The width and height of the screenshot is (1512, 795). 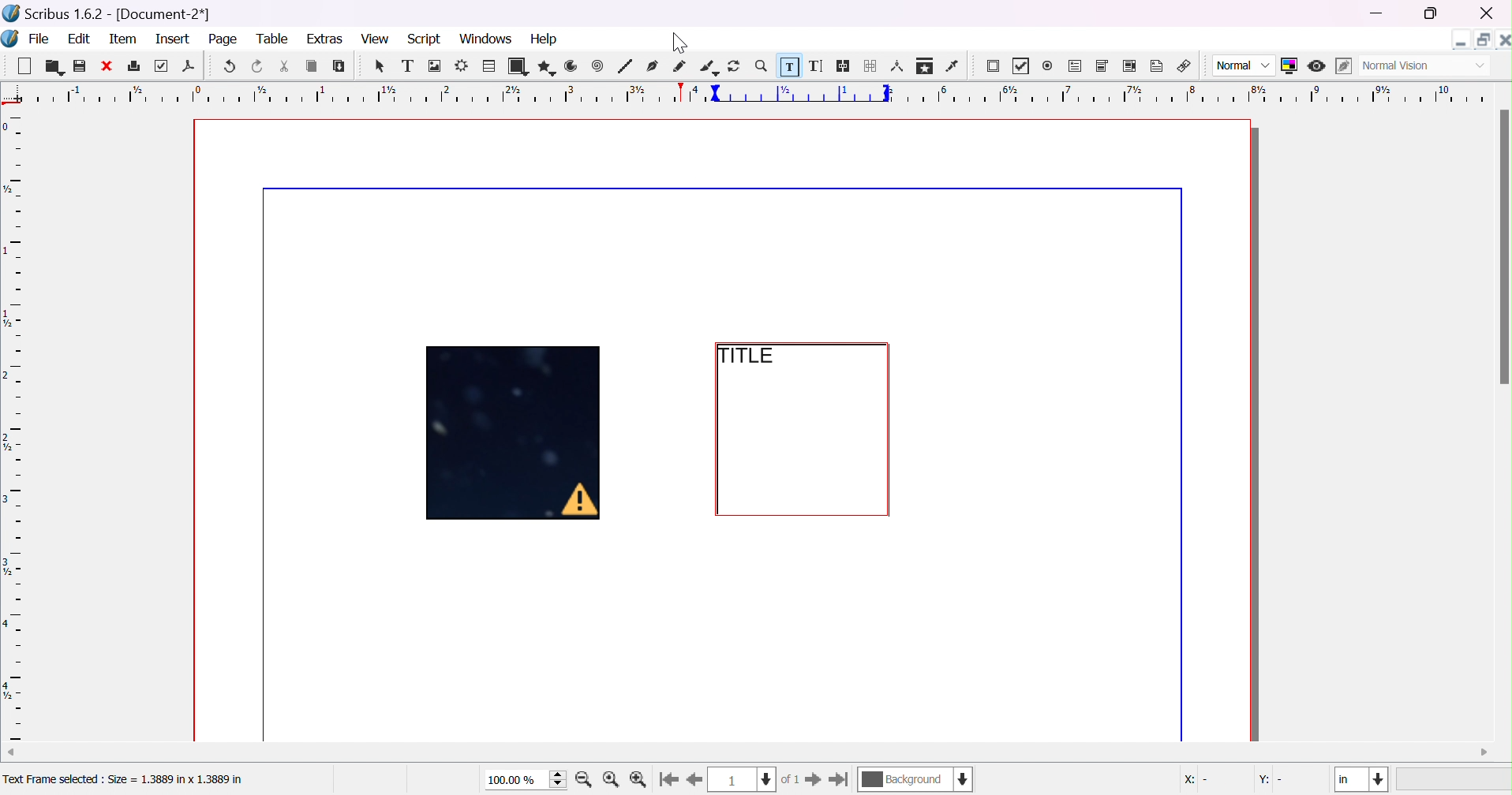 What do you see at coordinates (844, 66) in the screenshot?
I see `link text frames` at bounding box center [844, 66].